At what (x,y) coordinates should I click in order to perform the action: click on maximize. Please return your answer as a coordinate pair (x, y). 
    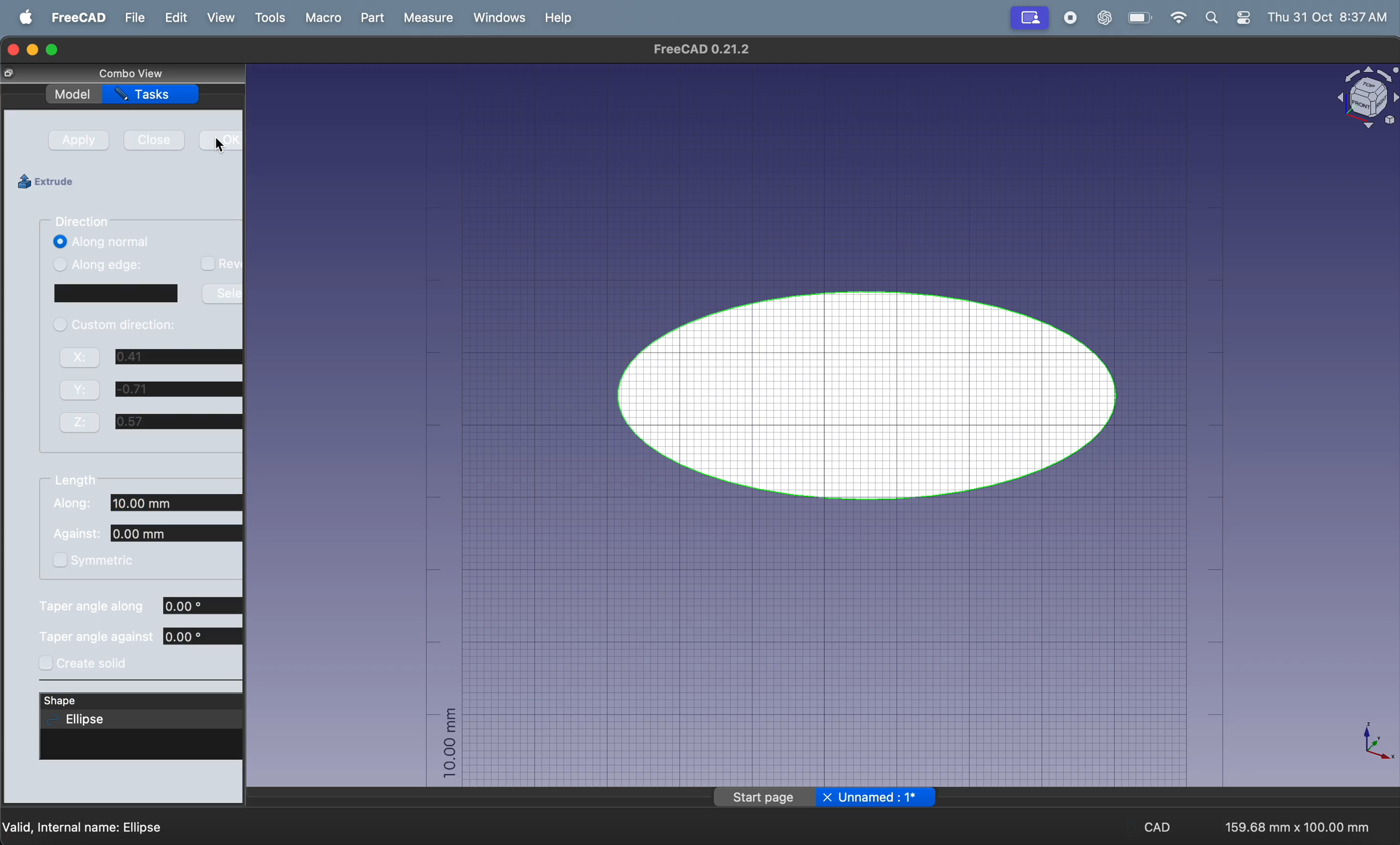
    Looking at the image, I should click on (56, 49).